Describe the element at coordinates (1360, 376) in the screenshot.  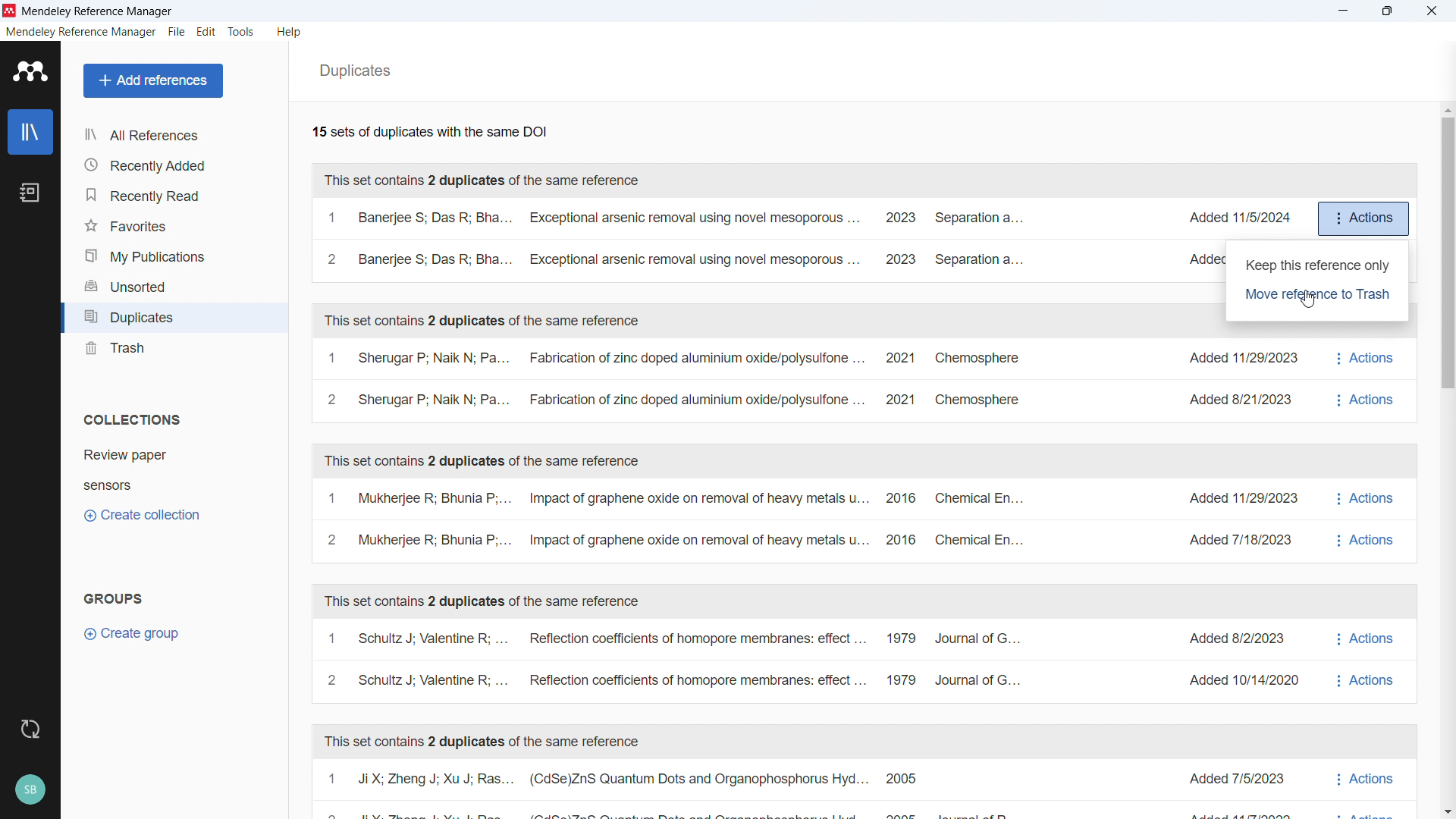
I see `Actions ` at that location.